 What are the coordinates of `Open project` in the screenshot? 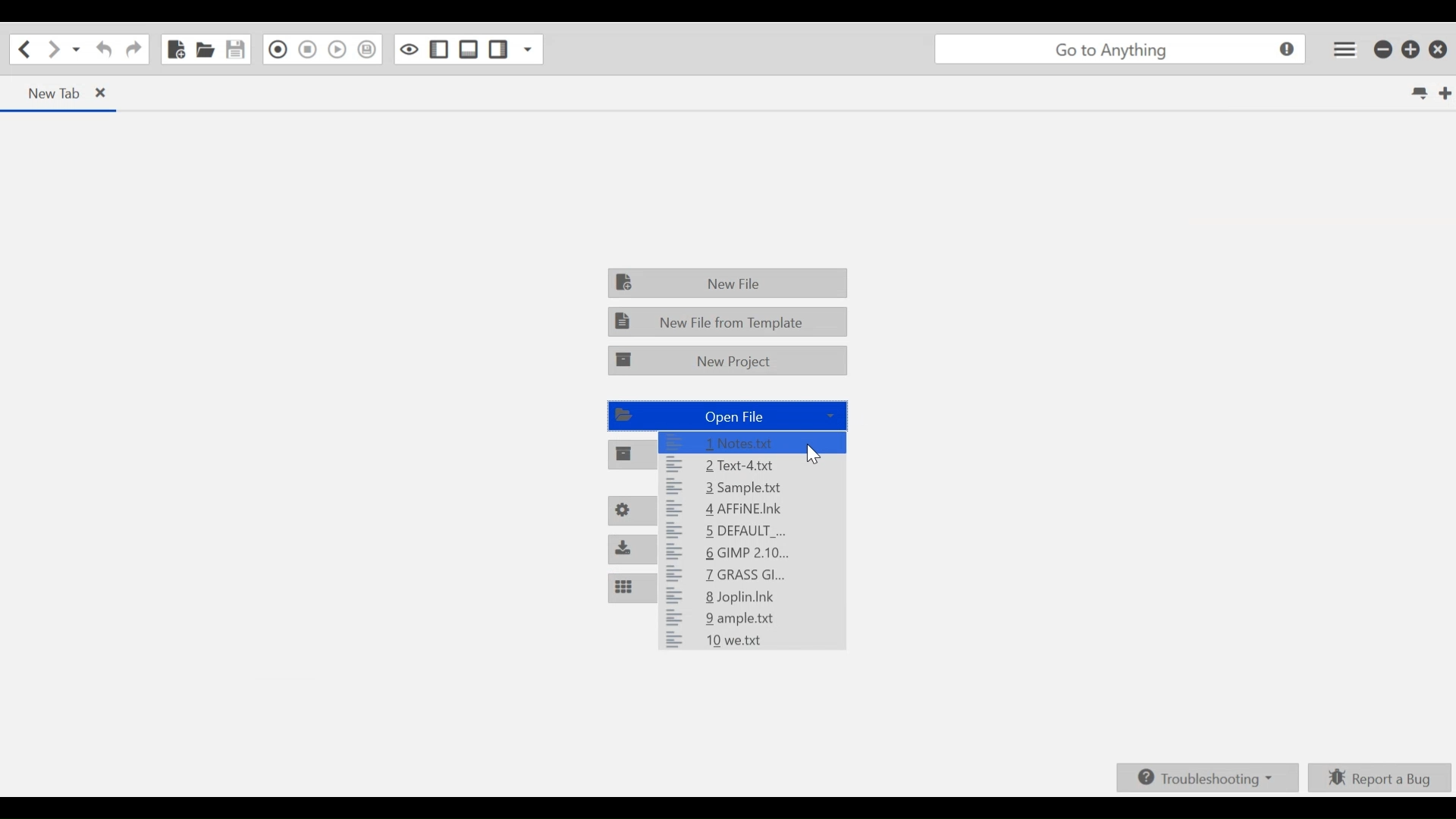 It's located at (629, 454).